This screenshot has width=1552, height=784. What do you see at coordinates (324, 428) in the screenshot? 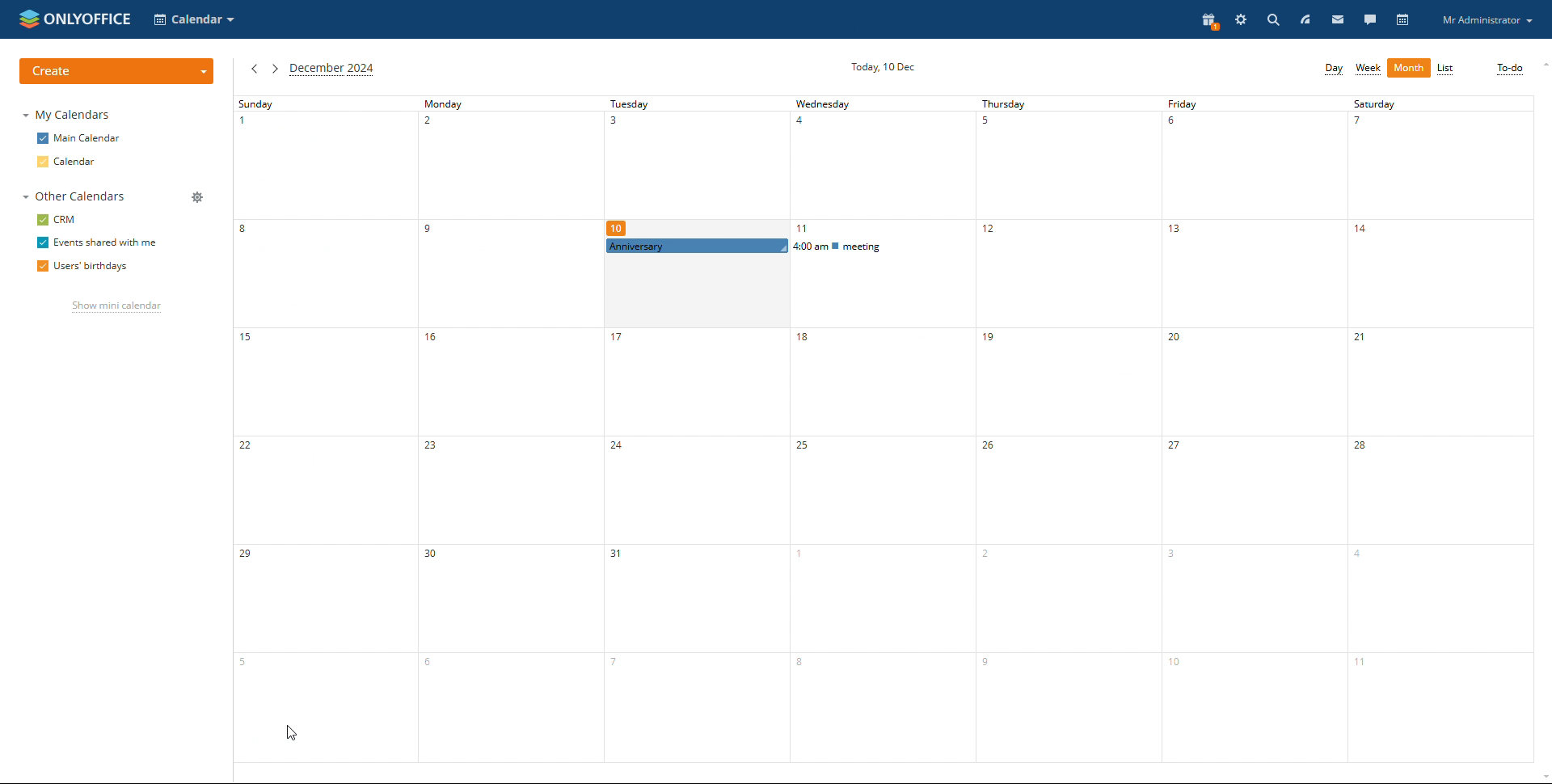
I see `sunday` at bounding box center [324, 428].